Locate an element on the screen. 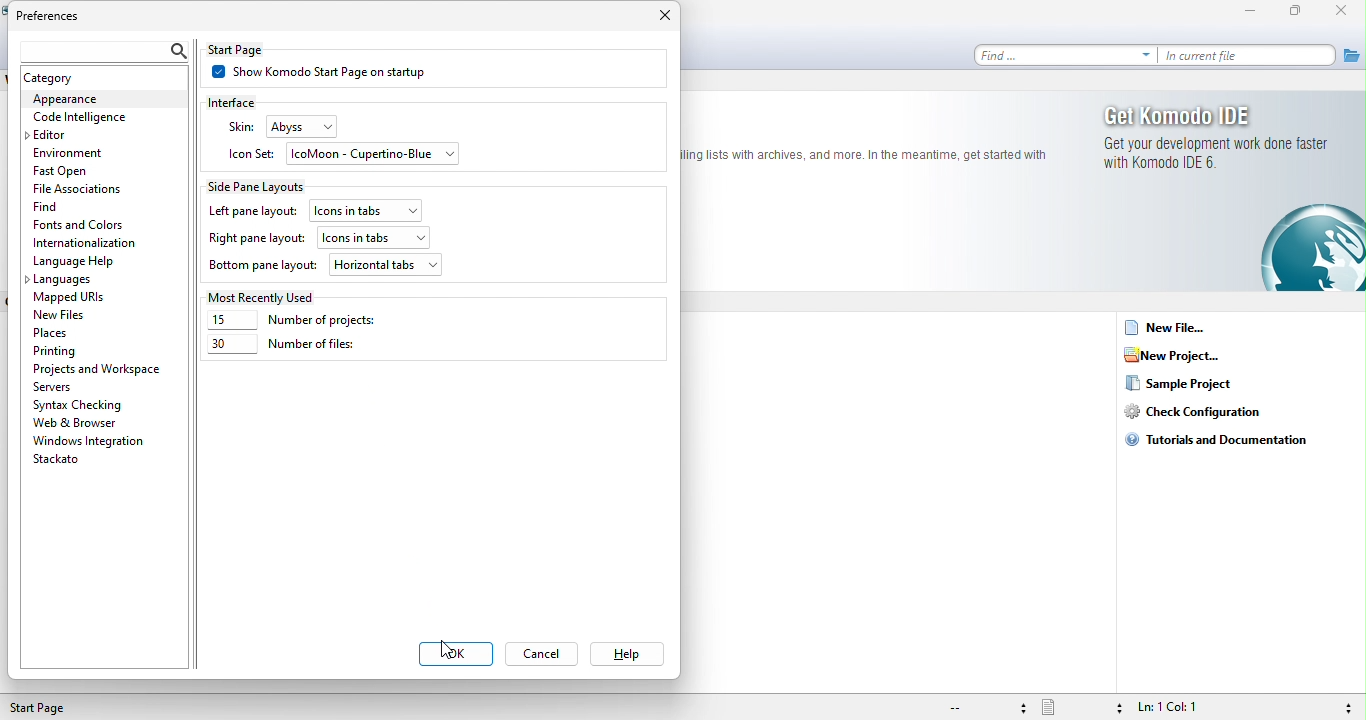 This screenshot has height=720, width=1366. right pane layout is located at coordinates (256, 240).